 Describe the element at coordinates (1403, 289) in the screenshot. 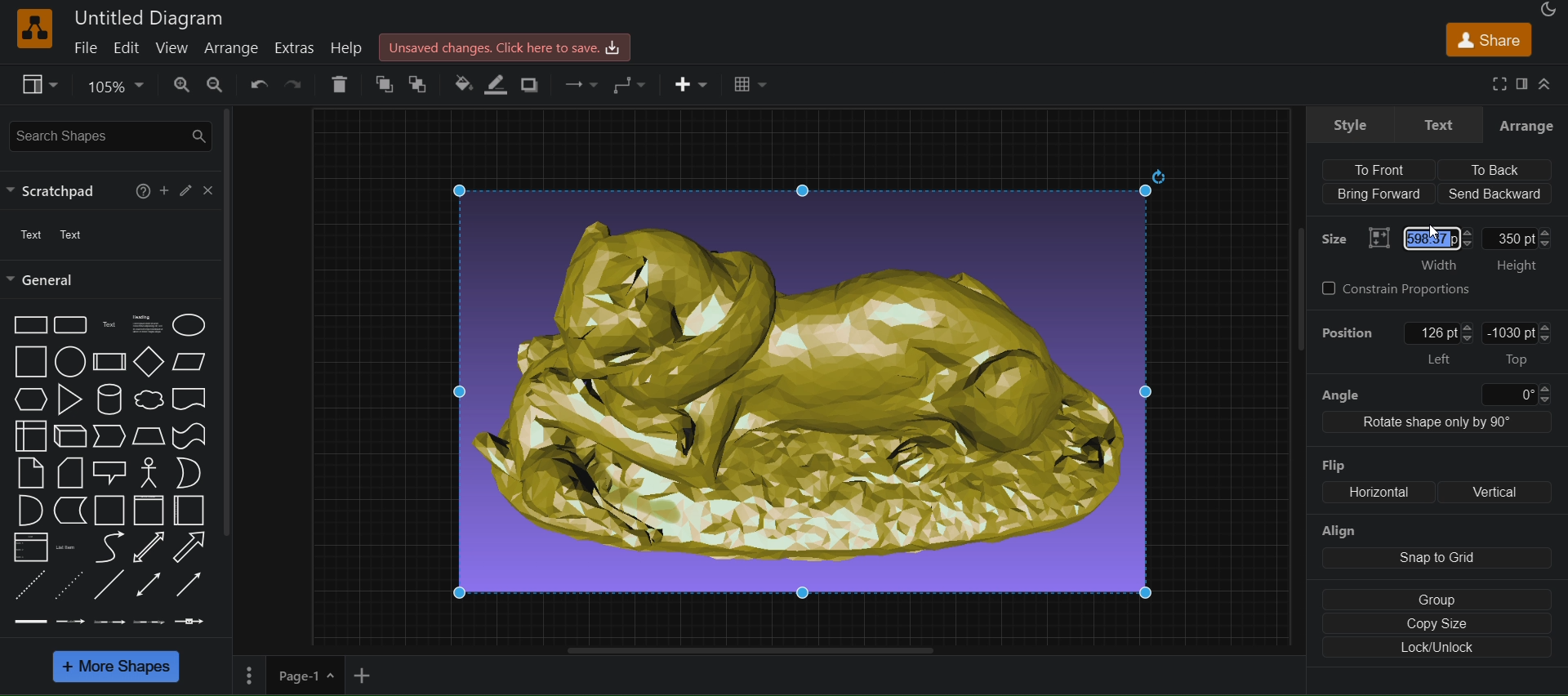

I see `constrain Proportions` at that location.